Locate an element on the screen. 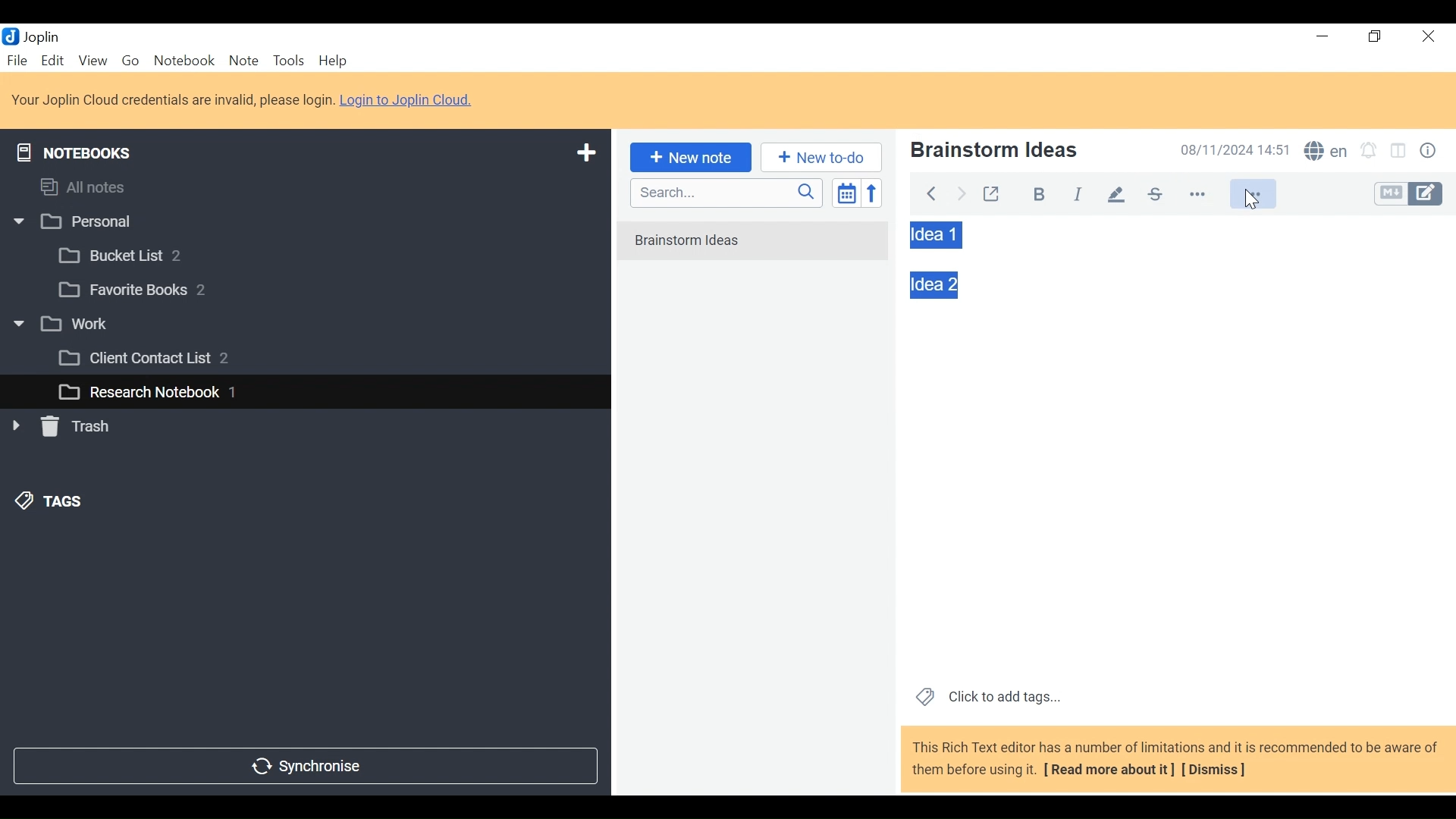 The width and height of the screenshot is (1456, 819). Tools is located at coordinates (287, 61).